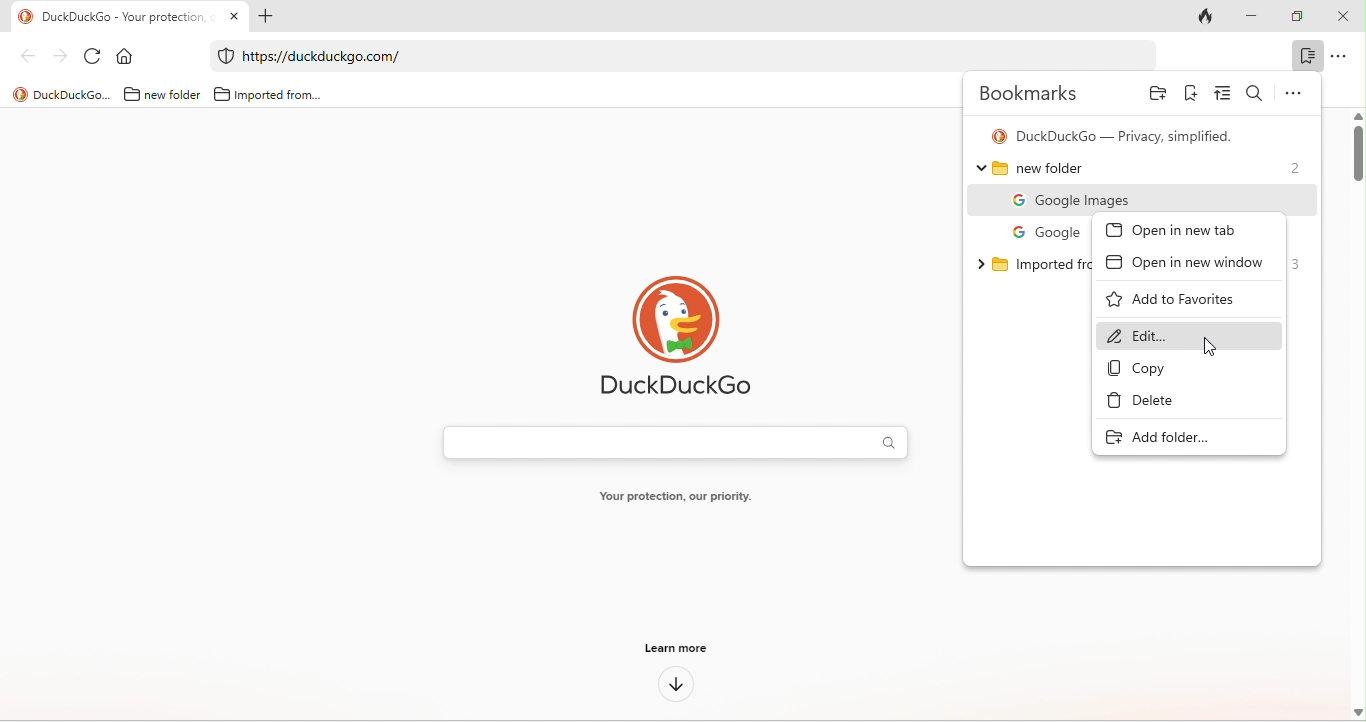  Describe the element at coordinates (1220, 95) in the screenshot. I see `sort bookmark` at that location.